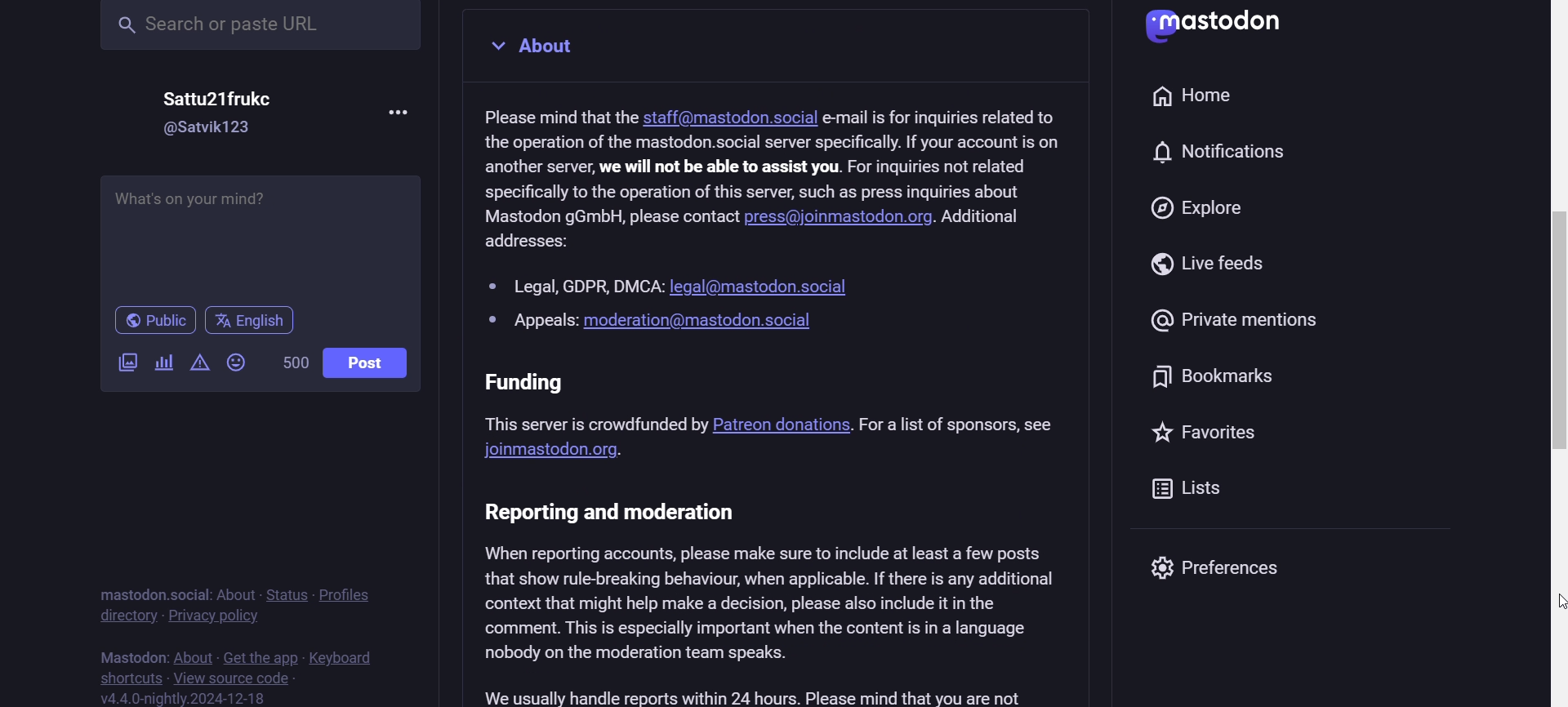  What do you see at coordinates (367, 360) in the screenshot?
I see `post` at bounding box center [367, 360].